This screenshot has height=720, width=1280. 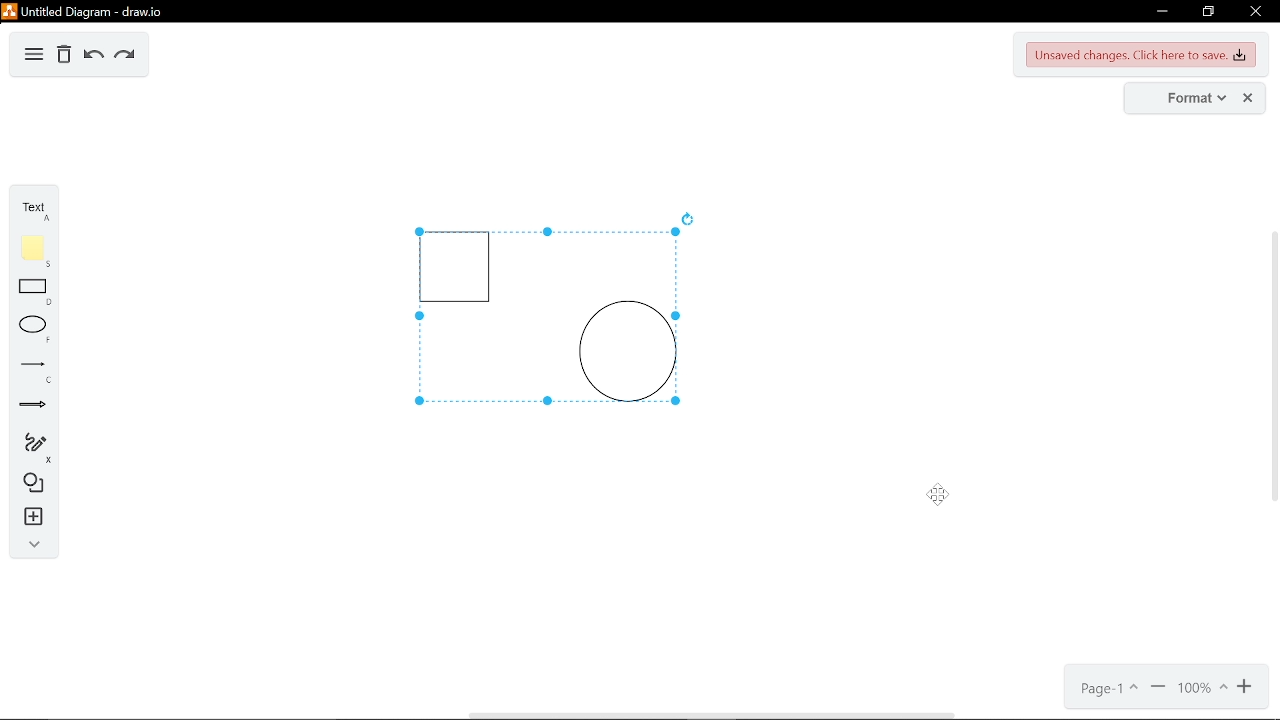 I want to click on redo, so click(x=124, y=55).